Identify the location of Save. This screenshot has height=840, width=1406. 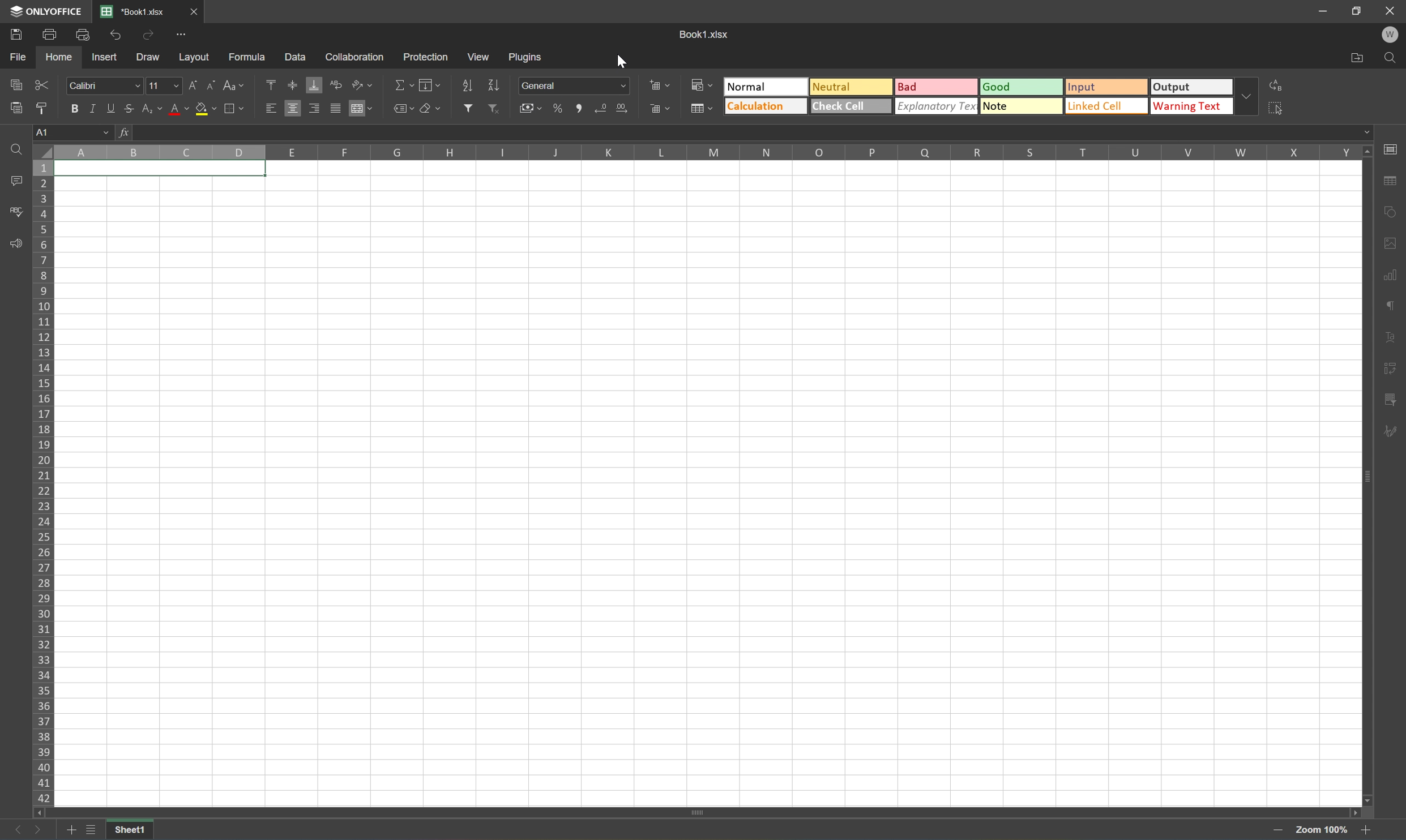
(13, 36).